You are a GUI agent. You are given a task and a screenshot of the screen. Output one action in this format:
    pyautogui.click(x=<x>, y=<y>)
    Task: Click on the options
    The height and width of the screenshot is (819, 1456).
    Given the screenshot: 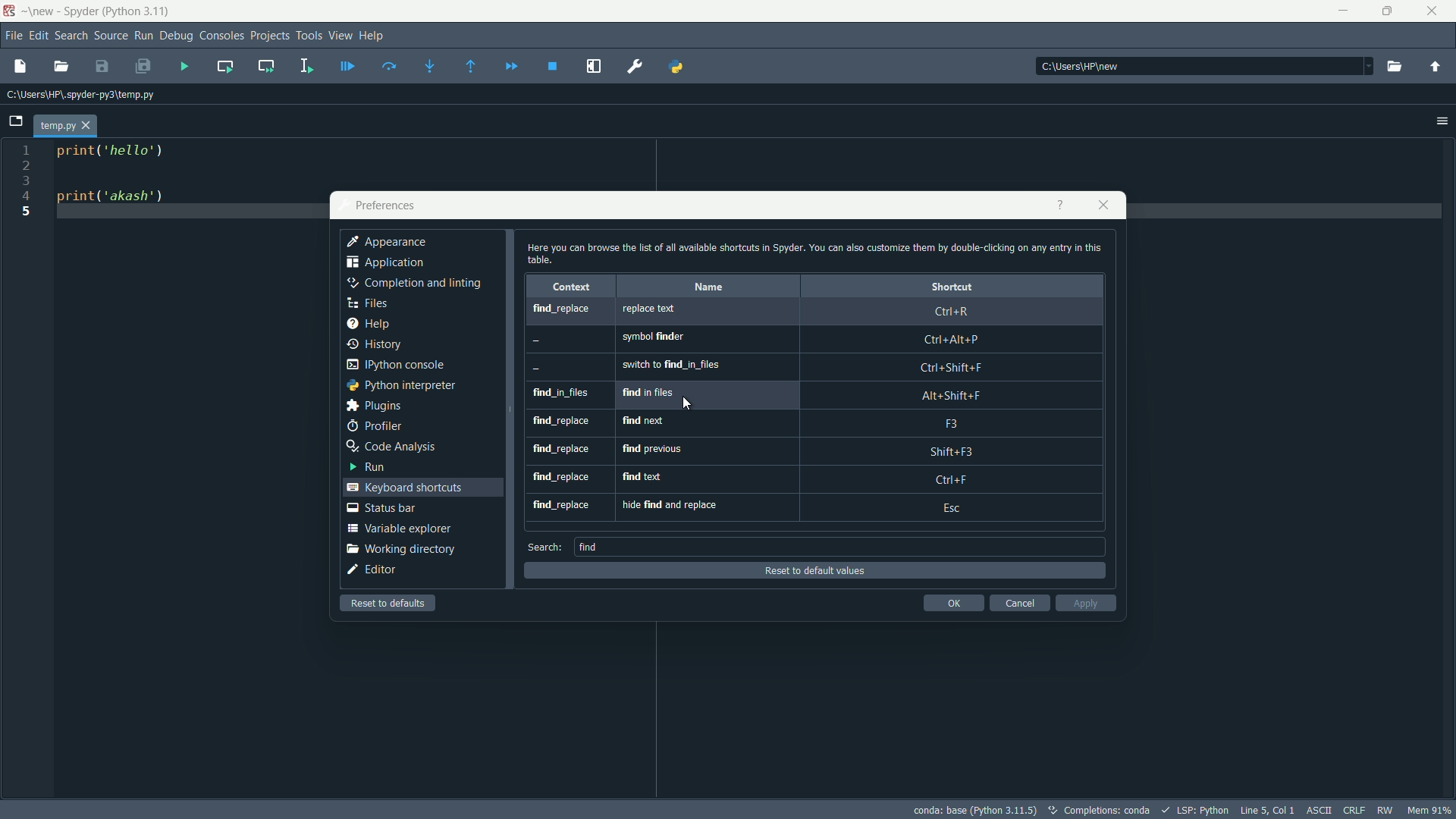 What is the action you would take?
    pyautogui.click(x=1439, y=119)
    